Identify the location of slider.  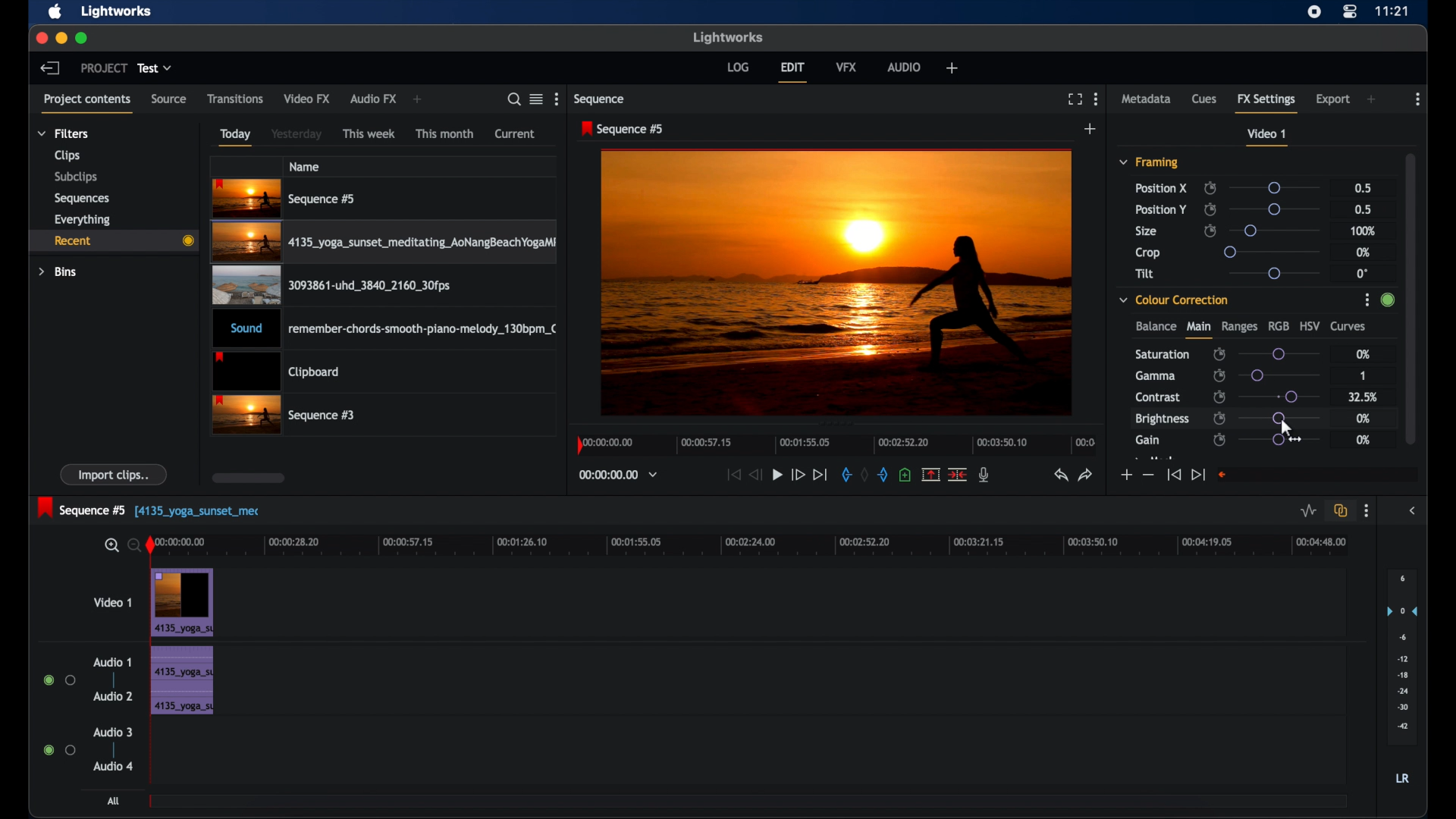
(1279, 440).